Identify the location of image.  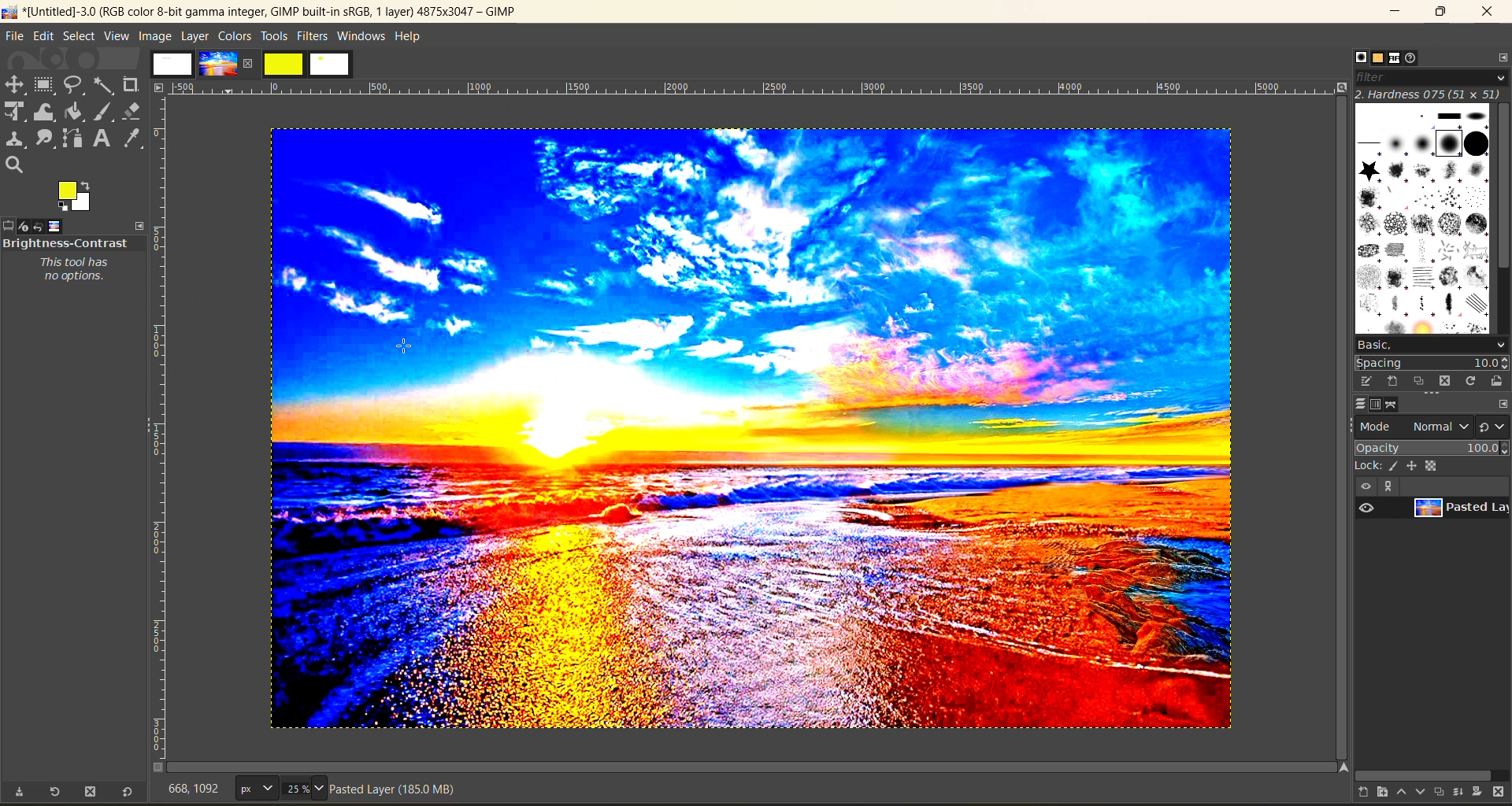
(155, 36).